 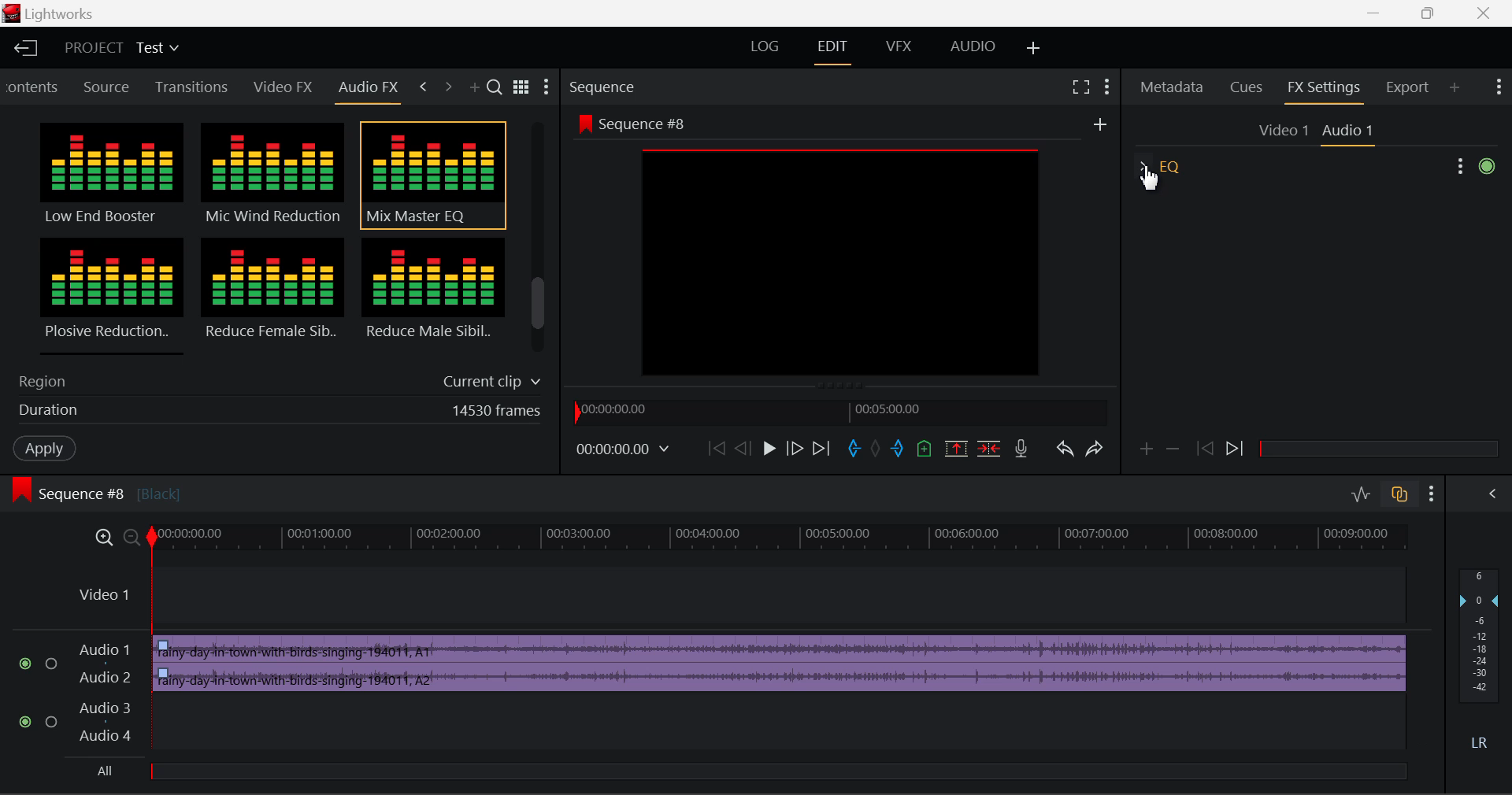 I want to click on Contents, so click(x=34, y=85).